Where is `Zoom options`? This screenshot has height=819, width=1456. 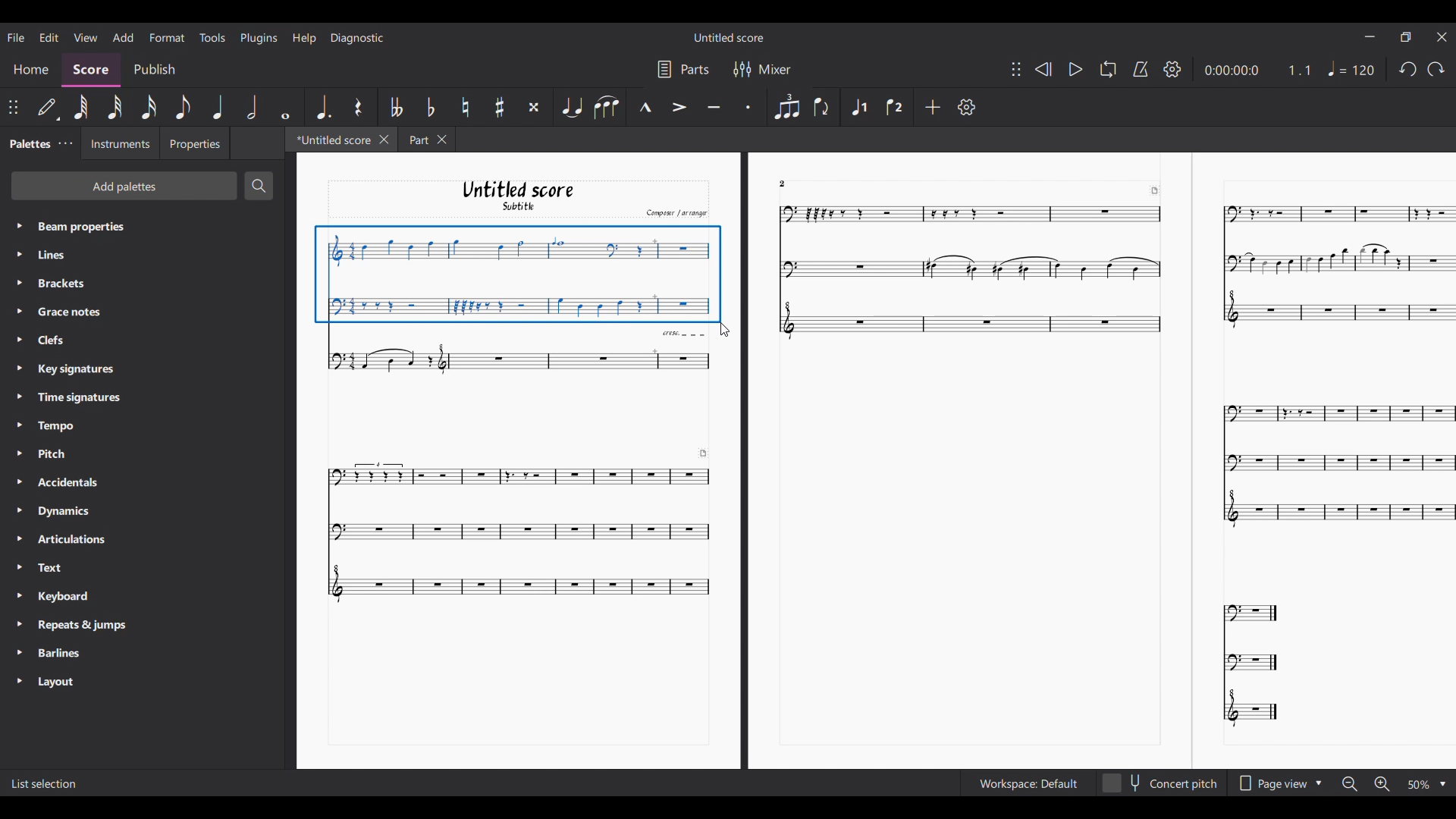 Zoom options is located at coordinates (1418, 785).